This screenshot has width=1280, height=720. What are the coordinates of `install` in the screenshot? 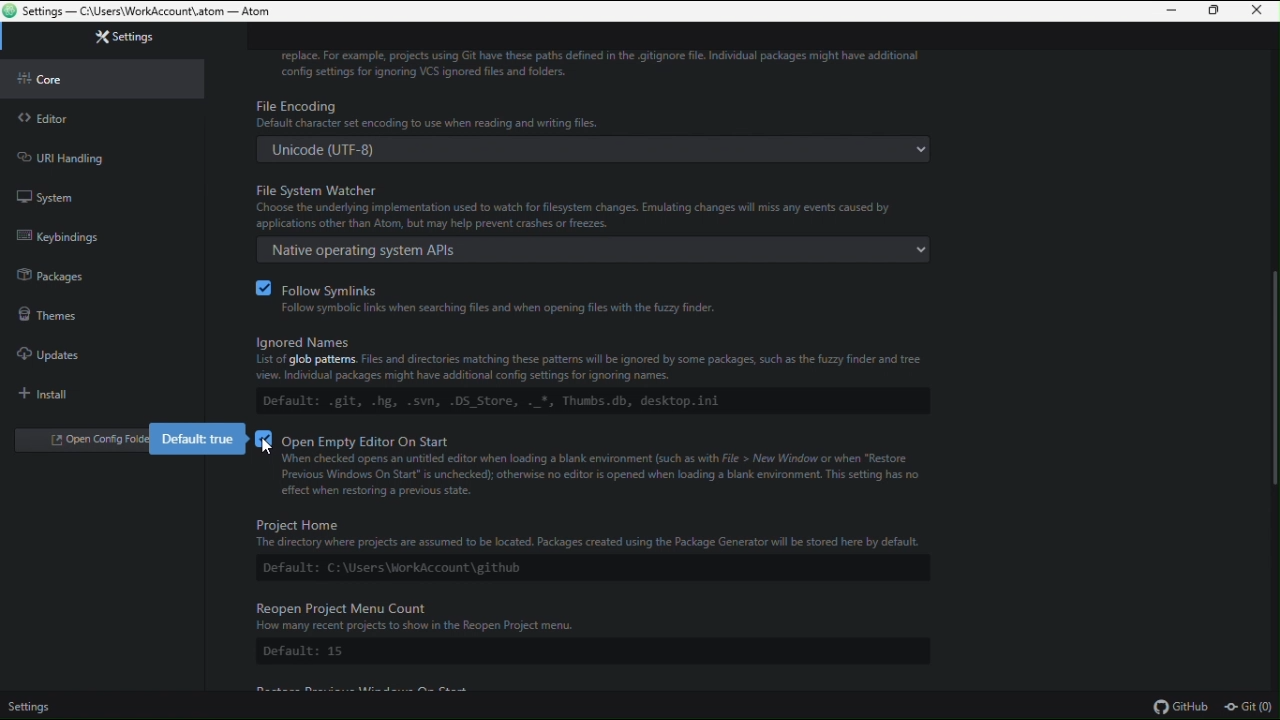 It's located at (45, 390).